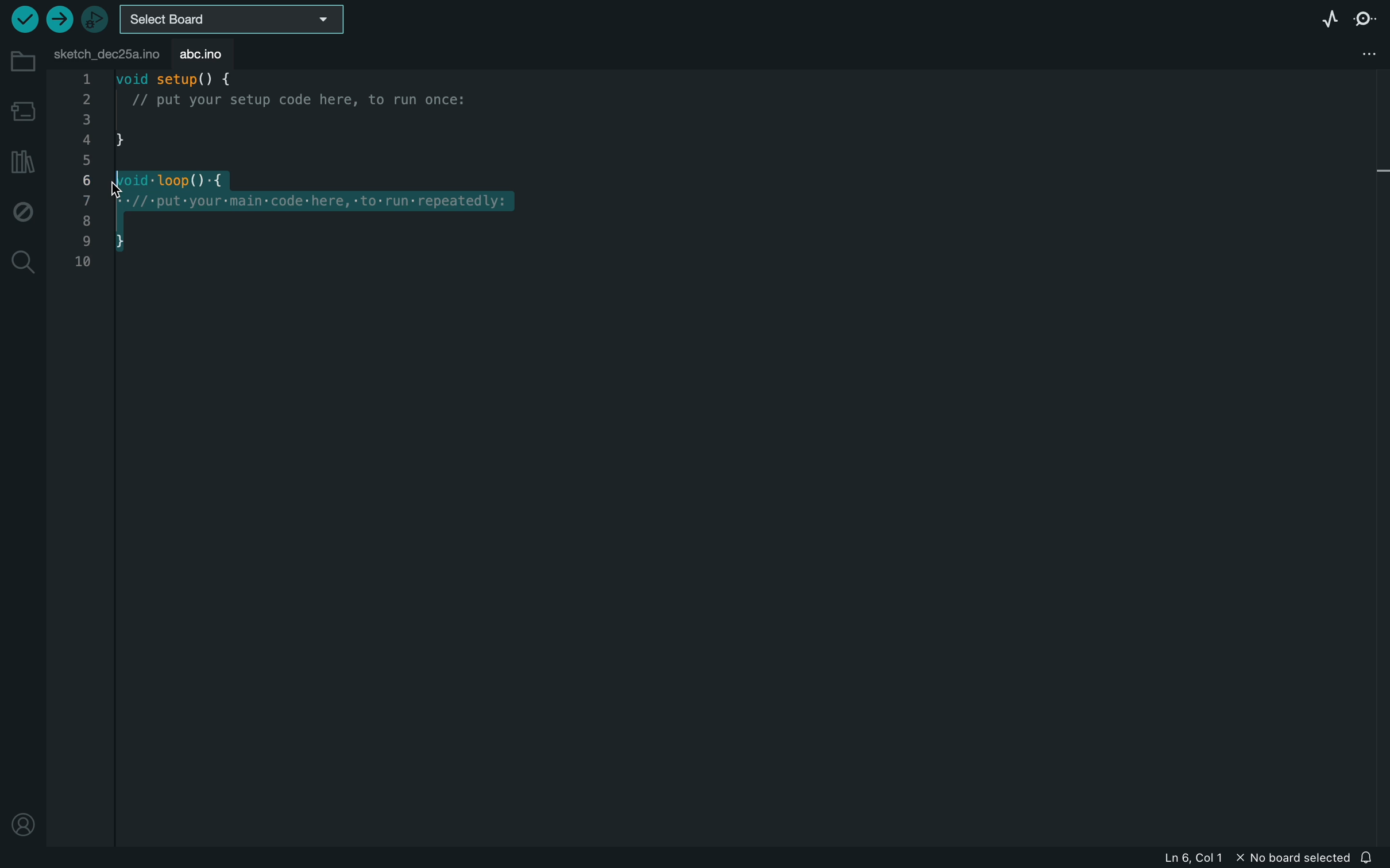  Describe the element at coordinates (104, 53) in the screenshot. I see `file  tab ` at that location.